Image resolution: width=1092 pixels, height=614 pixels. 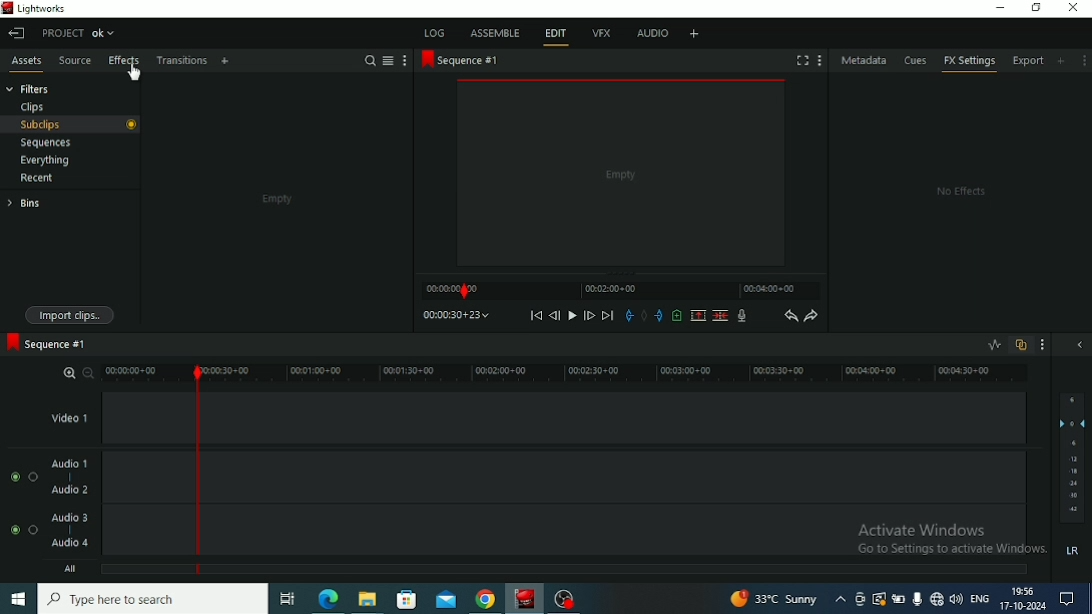 I want to click on FX Settings, so click(x=969, y=63).